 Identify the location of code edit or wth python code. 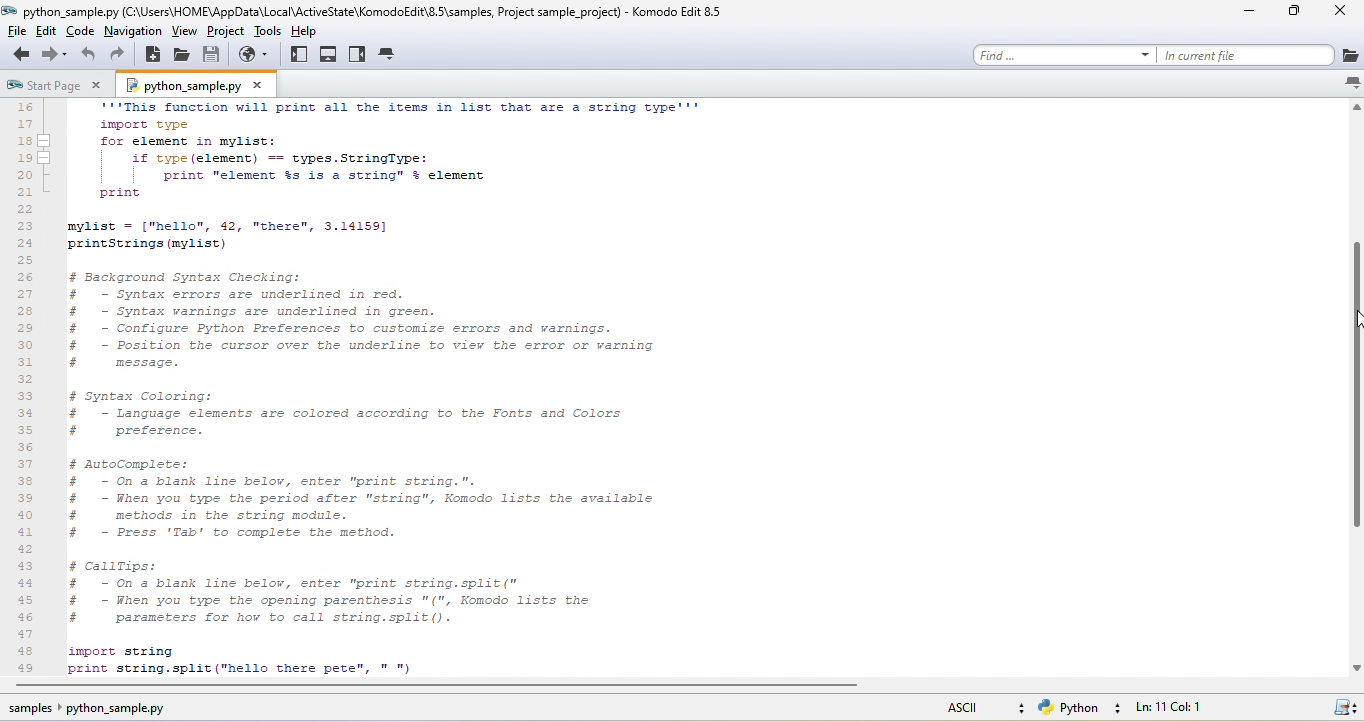
(454, 390).